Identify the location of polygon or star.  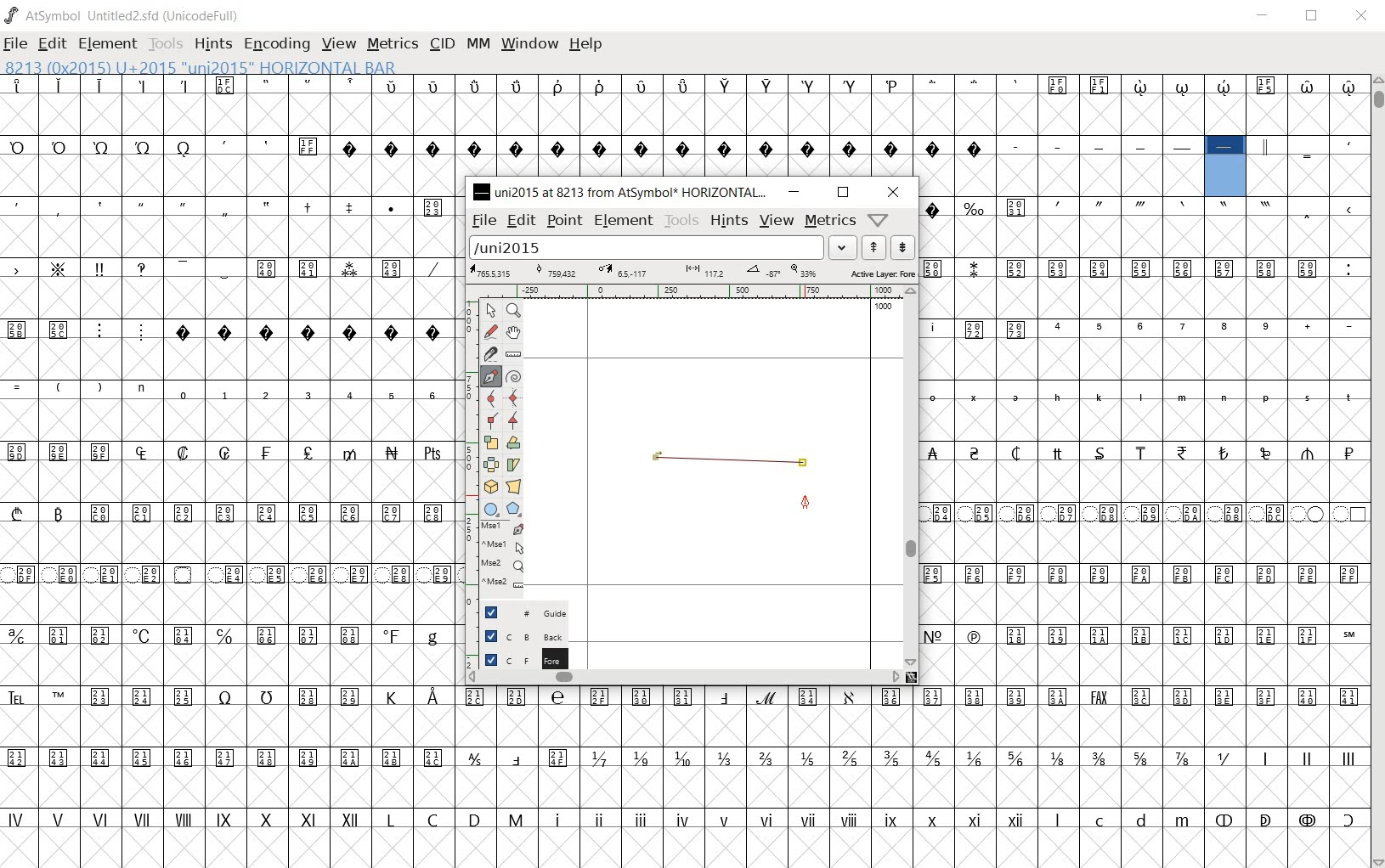
(514, 508).